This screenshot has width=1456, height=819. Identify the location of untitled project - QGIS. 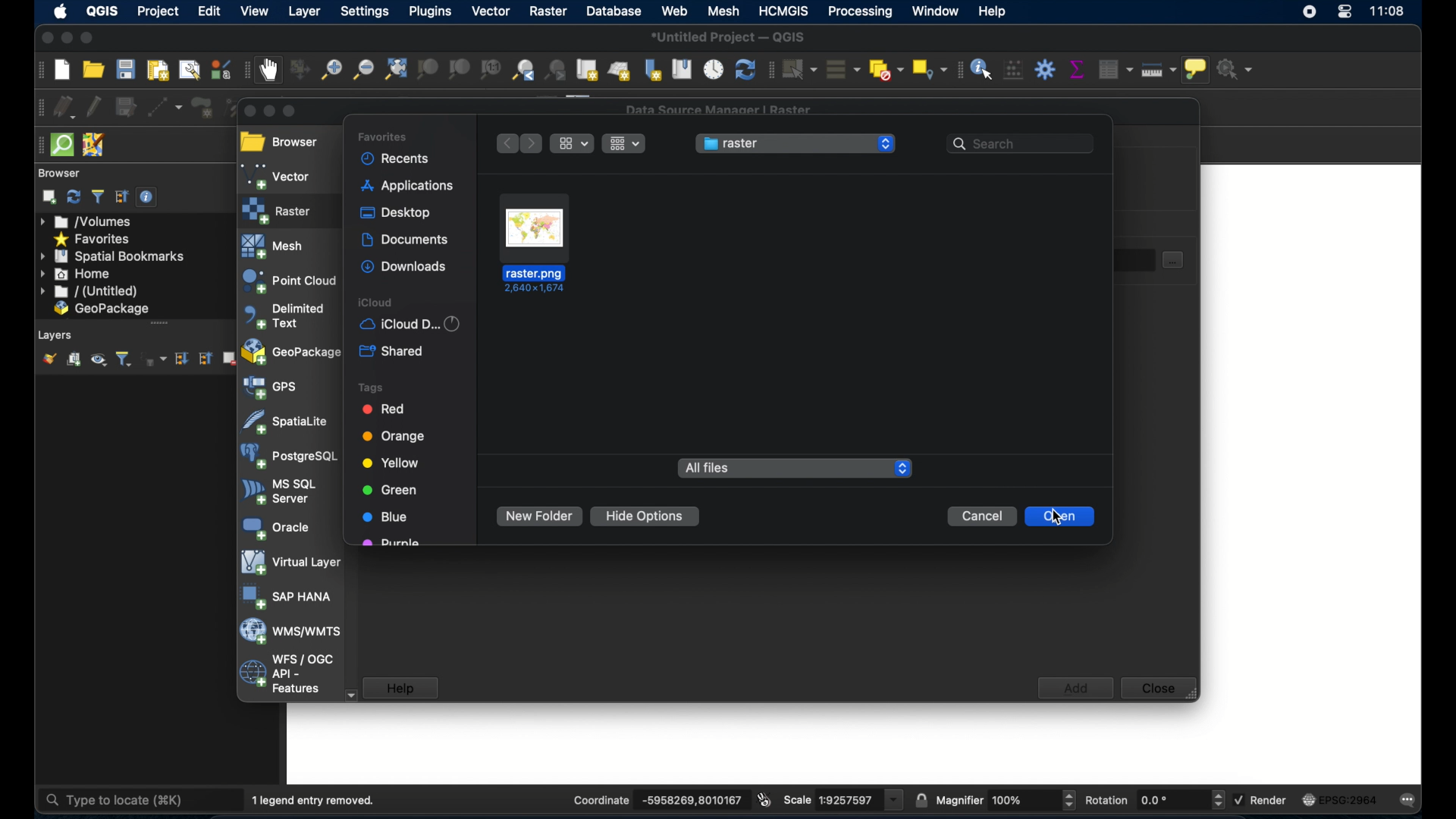
(732, 36).